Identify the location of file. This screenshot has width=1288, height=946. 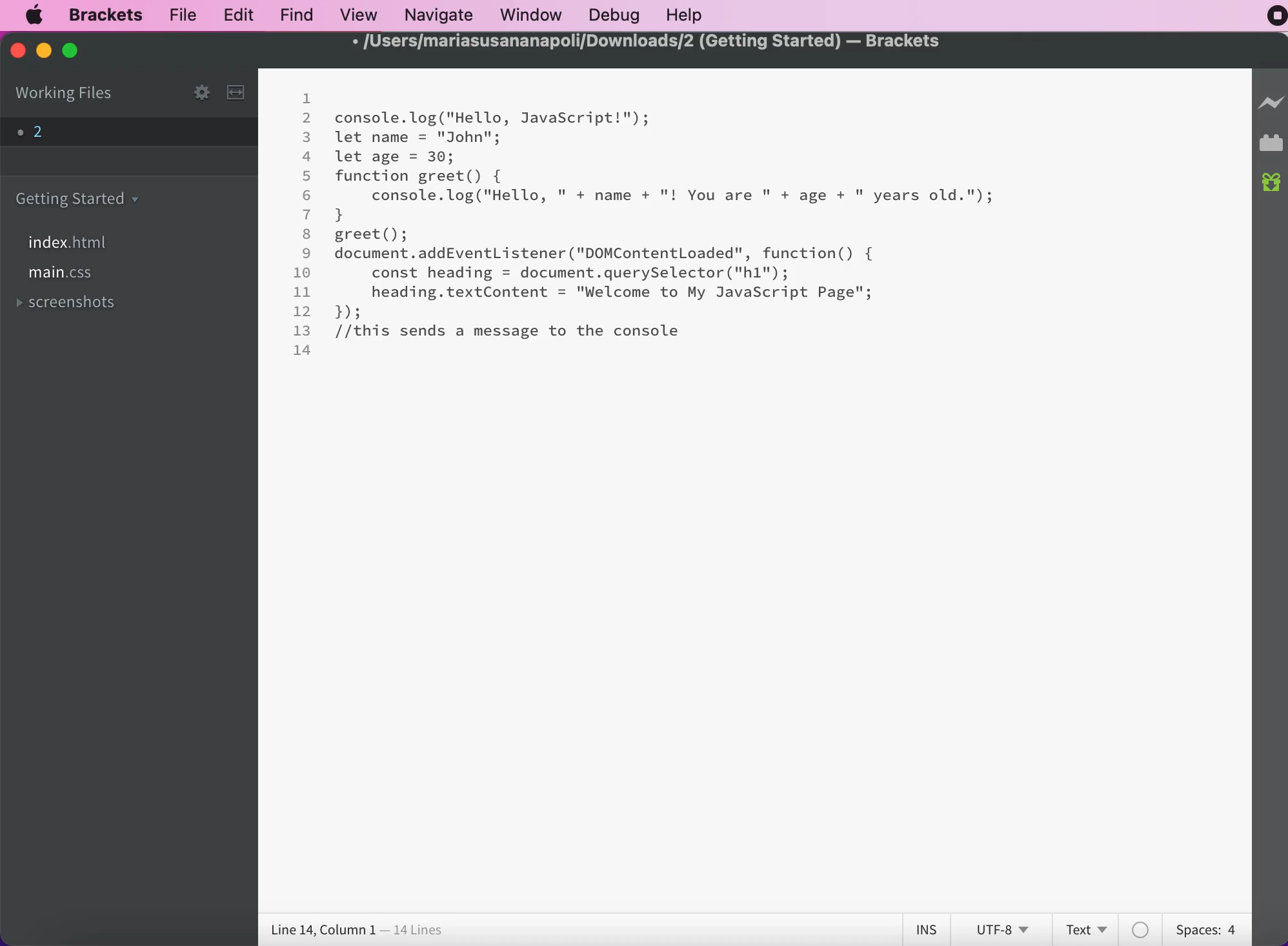
(179, 17).